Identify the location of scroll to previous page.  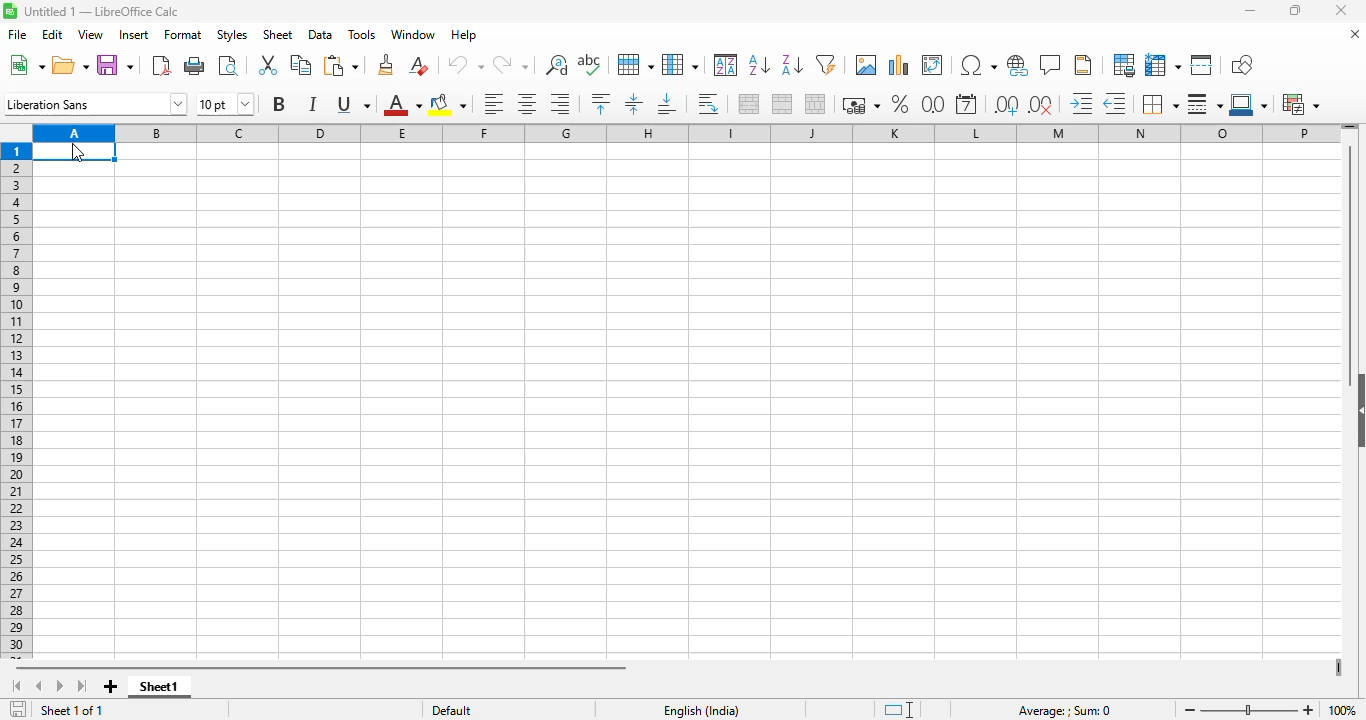
(38, 686).